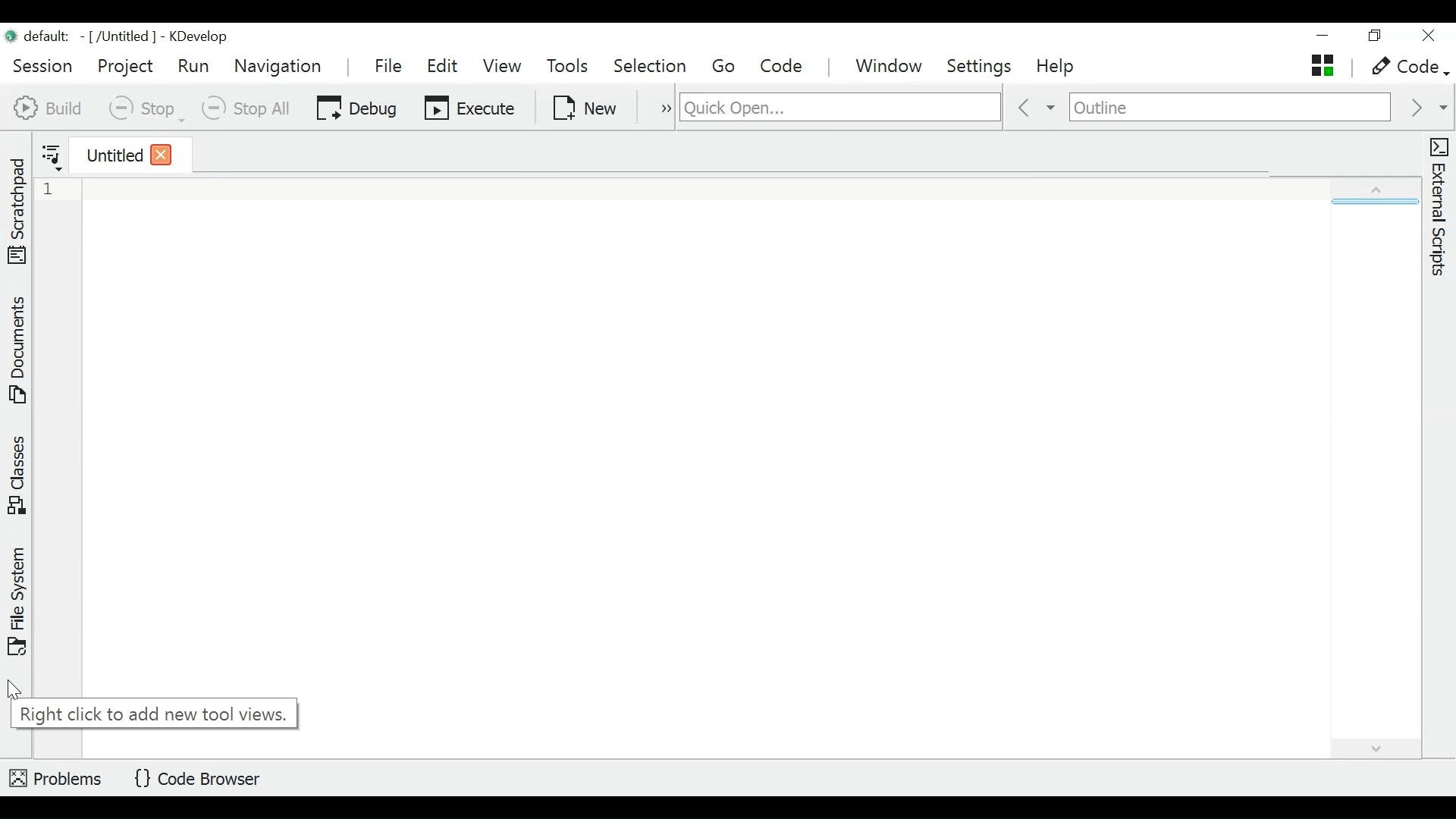 The width and height of the screenshot is (1456, 819). I want to click on Navigate outline of an active document, so click(1229, 108).